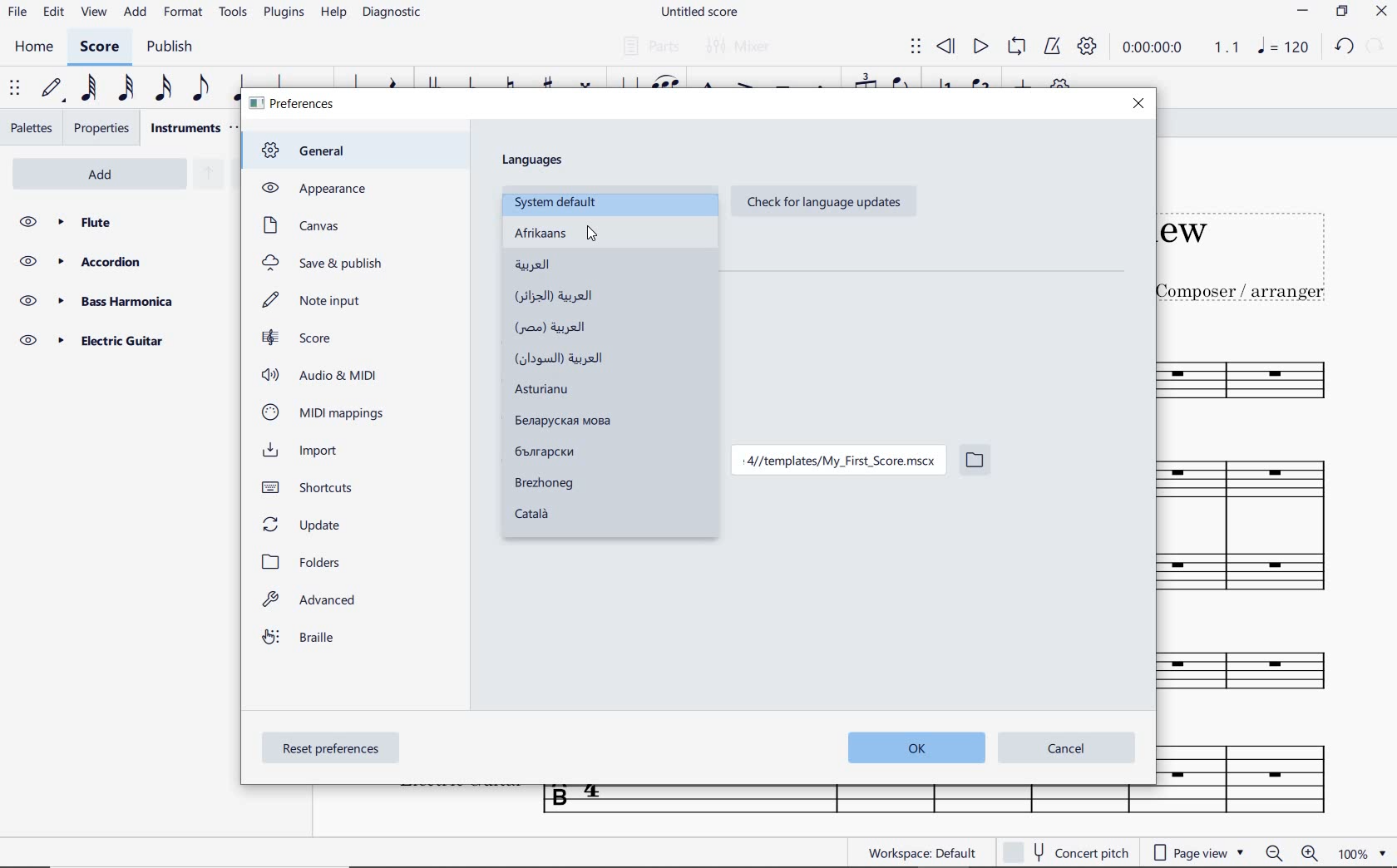 The width and height of the screenshot is (1397, 868). What do you see at coordinates (314, 487) in the screenshot?
I see `shortcuts` at bounding box center [314, 487].